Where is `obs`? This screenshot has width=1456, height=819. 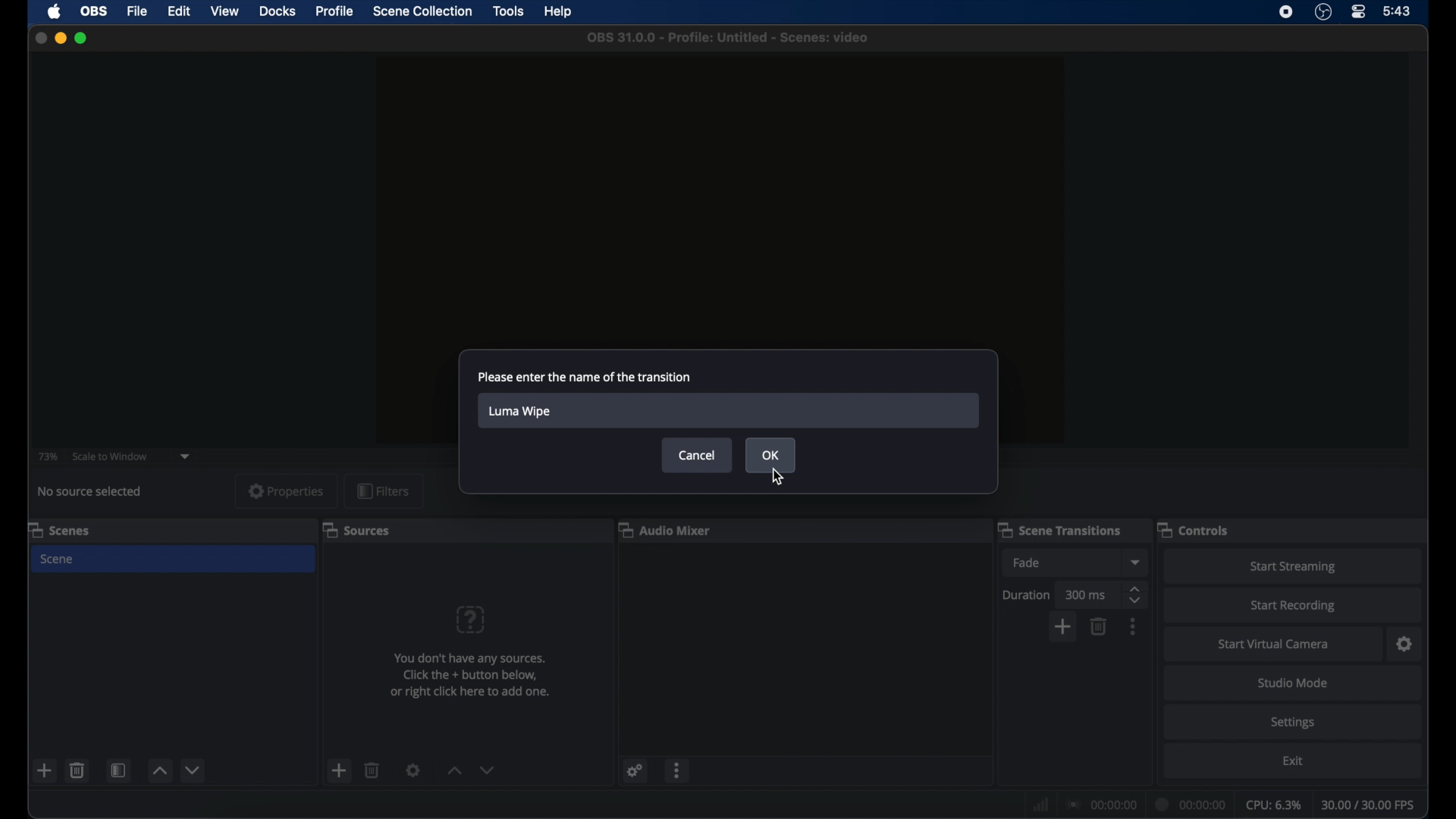 obs is located at coordinates (94, 11).